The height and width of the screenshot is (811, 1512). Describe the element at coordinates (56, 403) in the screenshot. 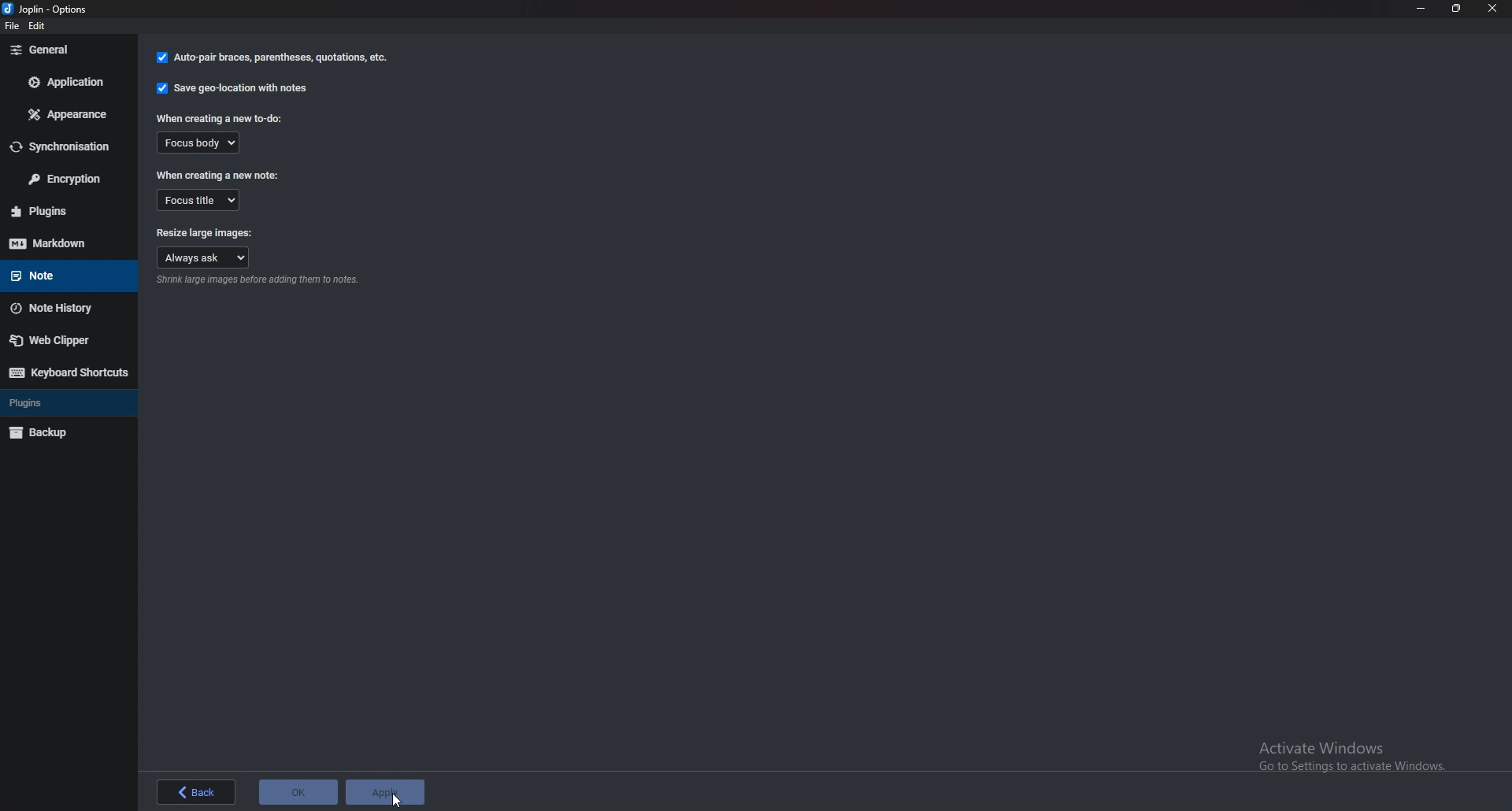

I see `Plugins` at that location.